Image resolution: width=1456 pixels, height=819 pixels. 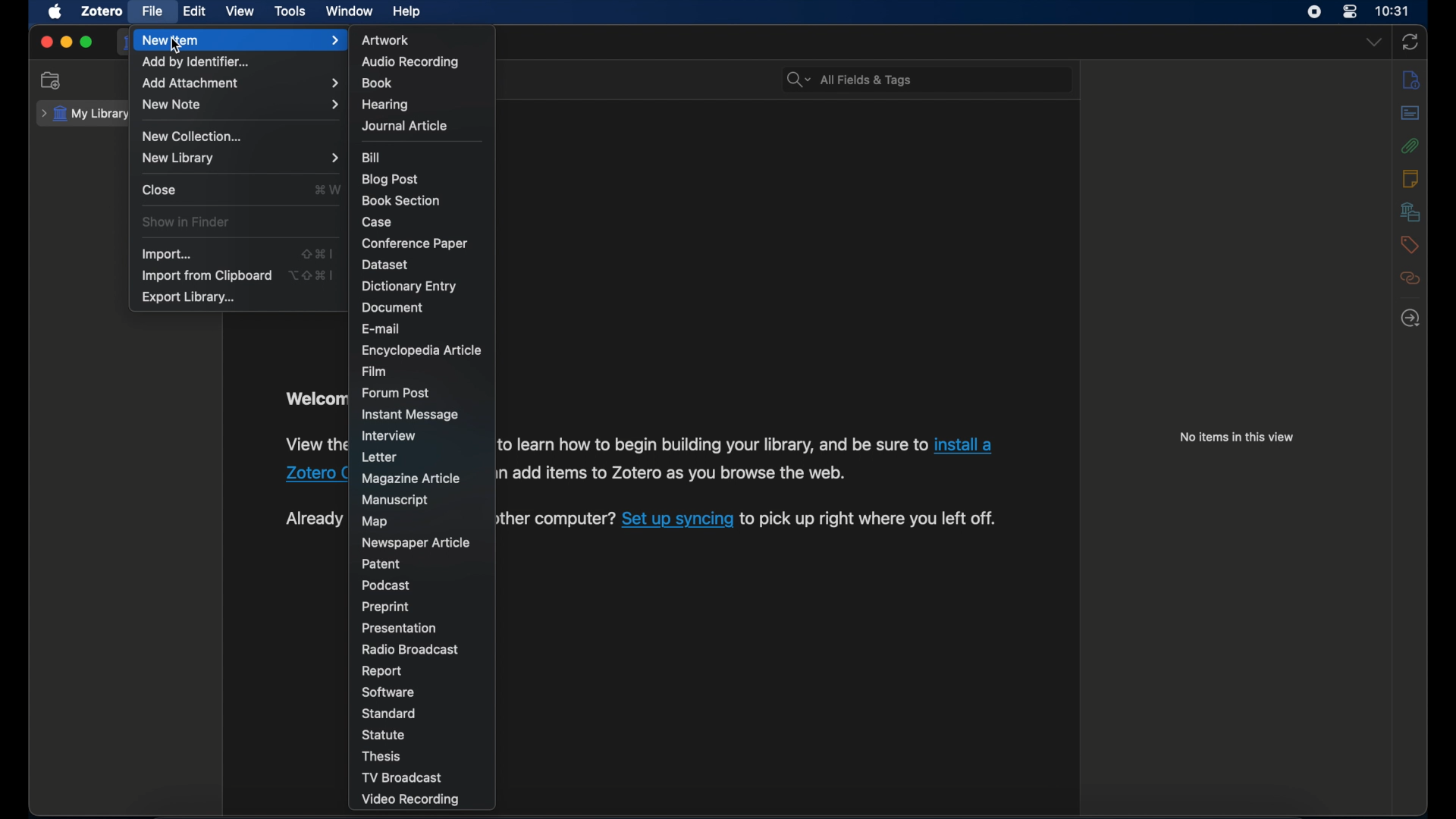 What do you see at coordinates (65, 43) in the screenshot?
I see `minimize` at bounding box center [65, 43].